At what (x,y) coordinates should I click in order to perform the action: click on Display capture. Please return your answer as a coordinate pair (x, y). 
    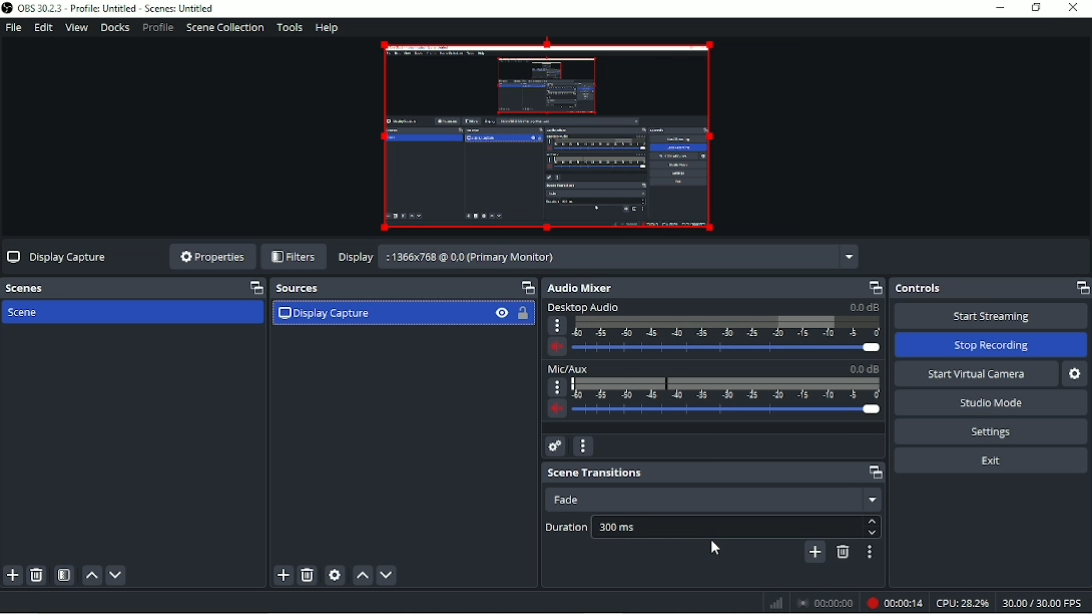
    Looking at the image, I should click on (62, 256).